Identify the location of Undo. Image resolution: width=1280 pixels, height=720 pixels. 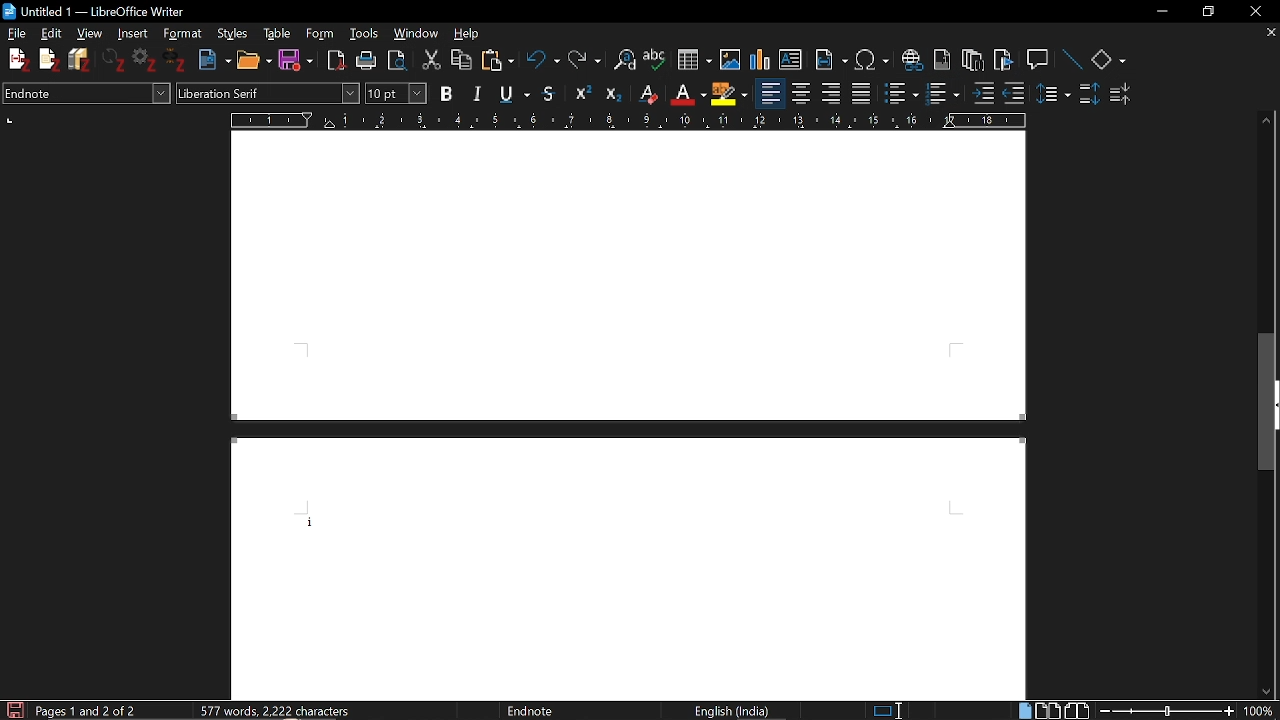
(543, 61).